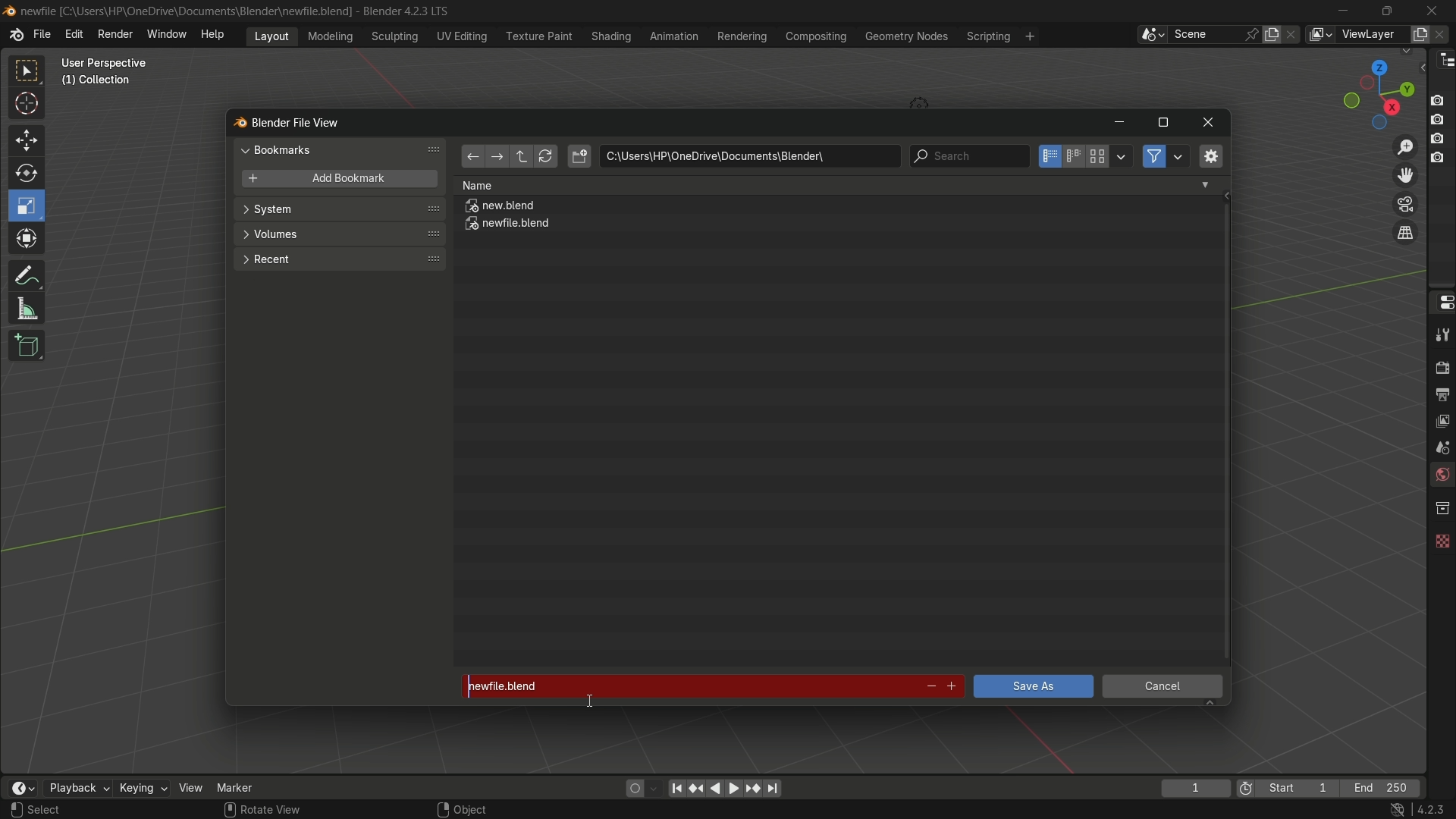  Describe the element at coordinates (654, 788) in the screenshot. I see `auto keyframe` at that location.